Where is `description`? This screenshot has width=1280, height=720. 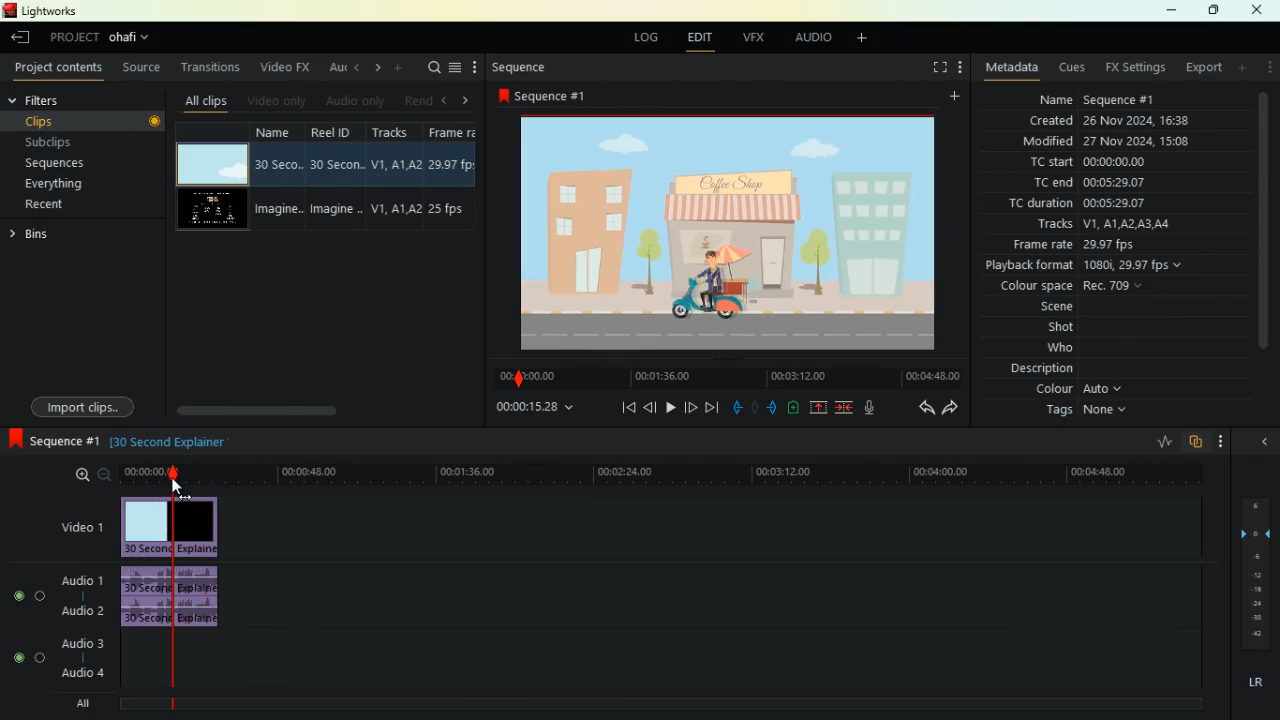 description is located at coordinates (1038, 368).